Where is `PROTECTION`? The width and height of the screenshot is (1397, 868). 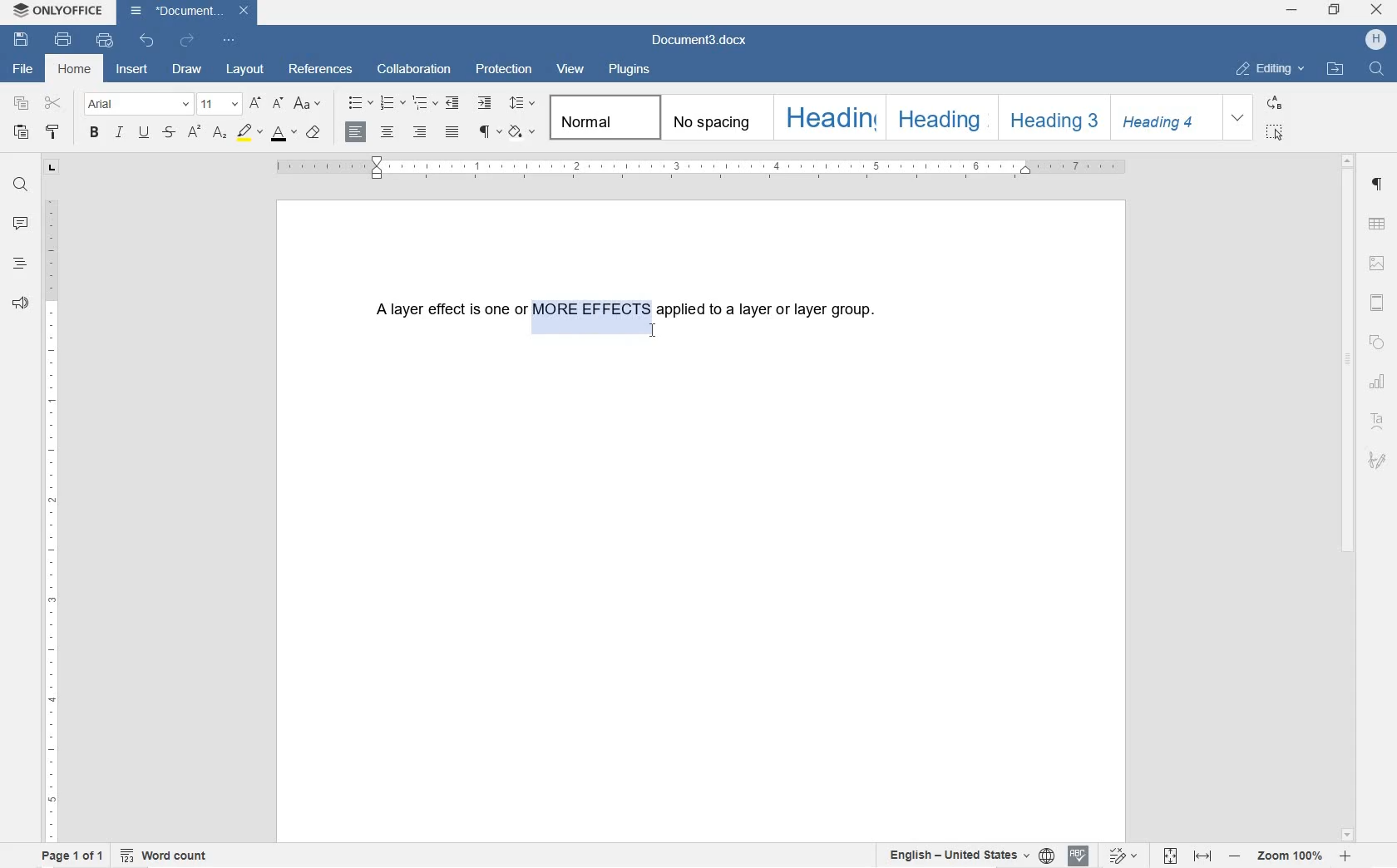 PROTECTION is located at coordinates (504, 70).